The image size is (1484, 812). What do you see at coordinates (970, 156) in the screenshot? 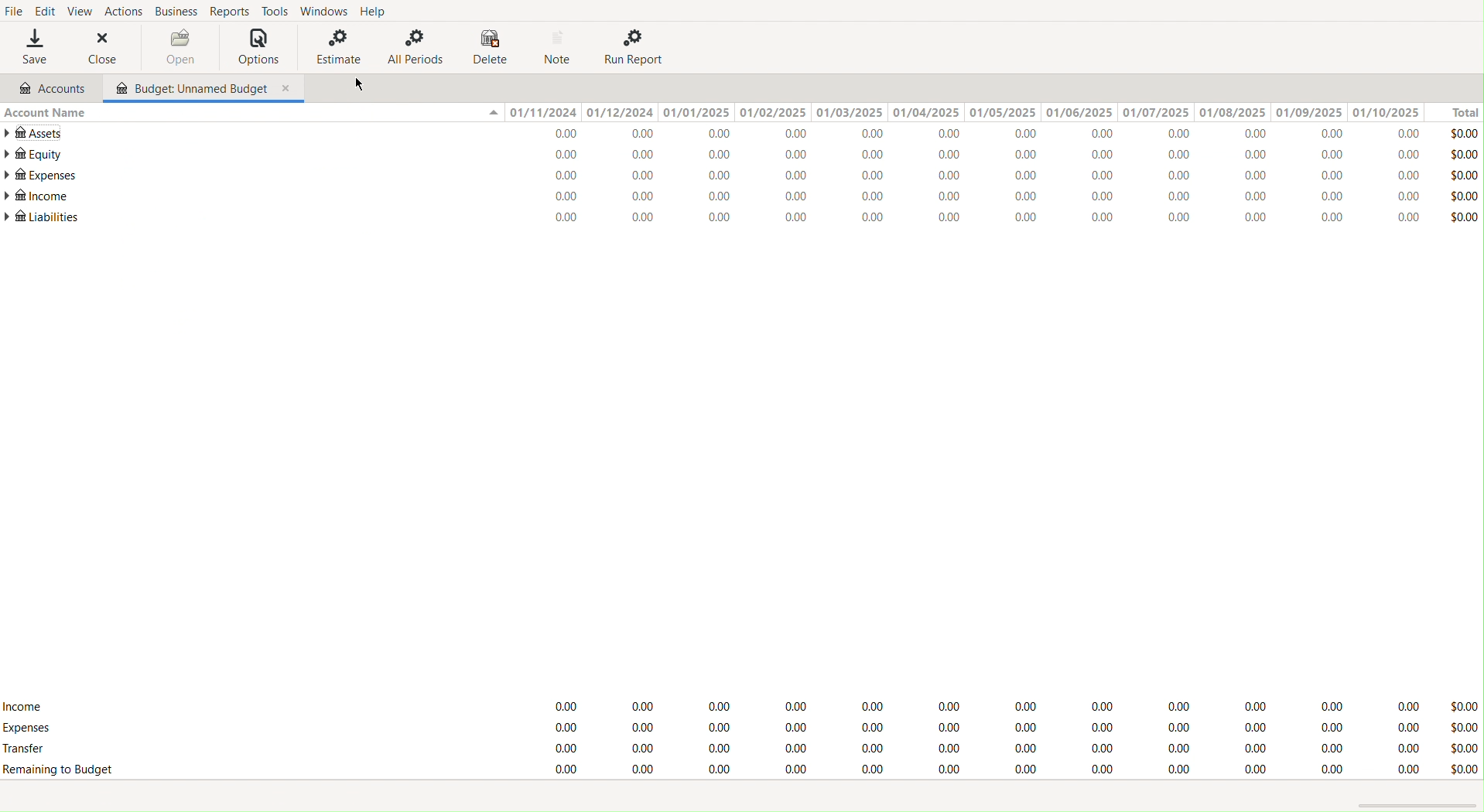
I see `Equity Values` at bounding box center [970, 156].